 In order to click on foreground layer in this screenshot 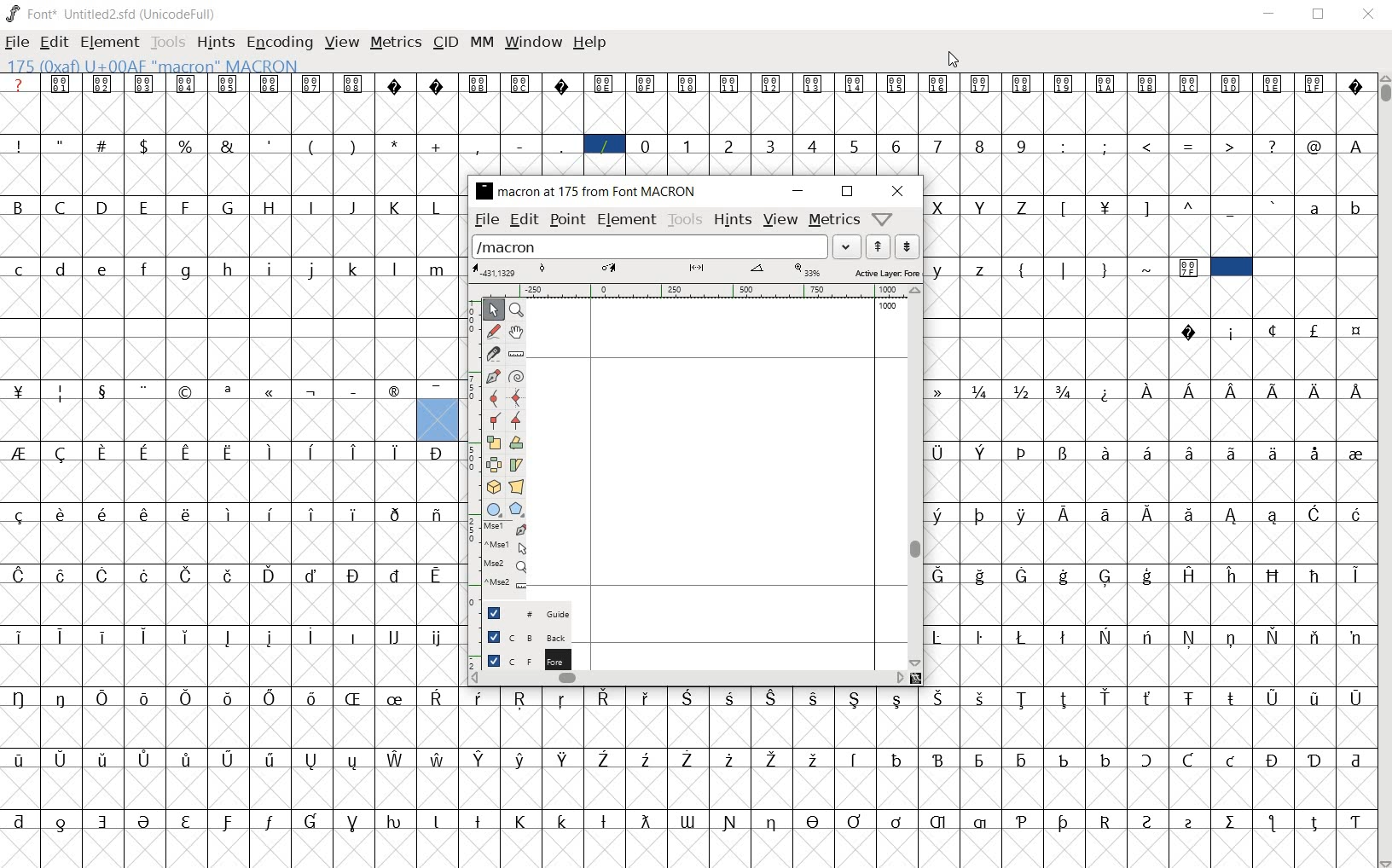, I will do `click(528, 660)`.